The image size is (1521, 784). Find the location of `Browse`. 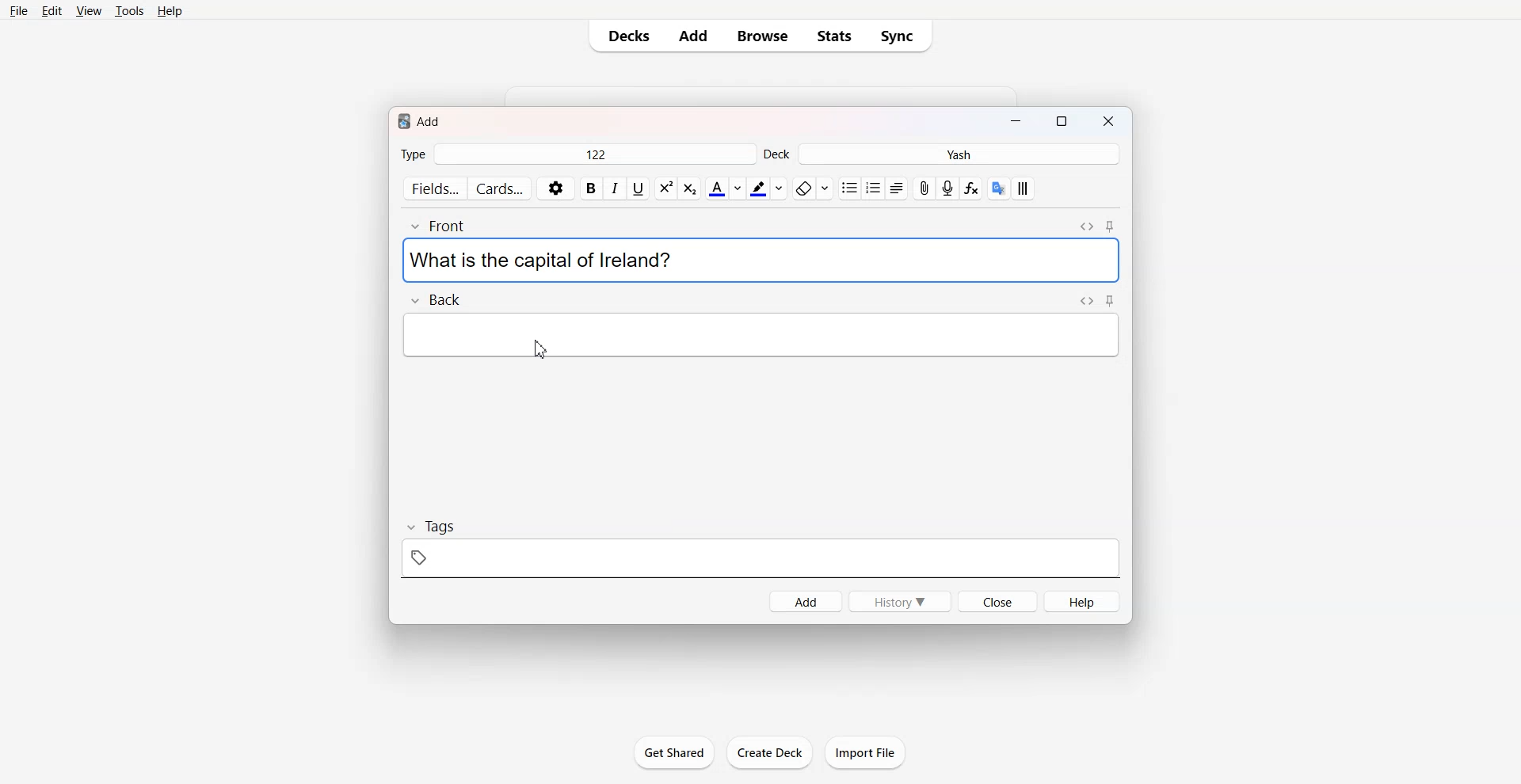

Browse is located at coordinates (760, 36).